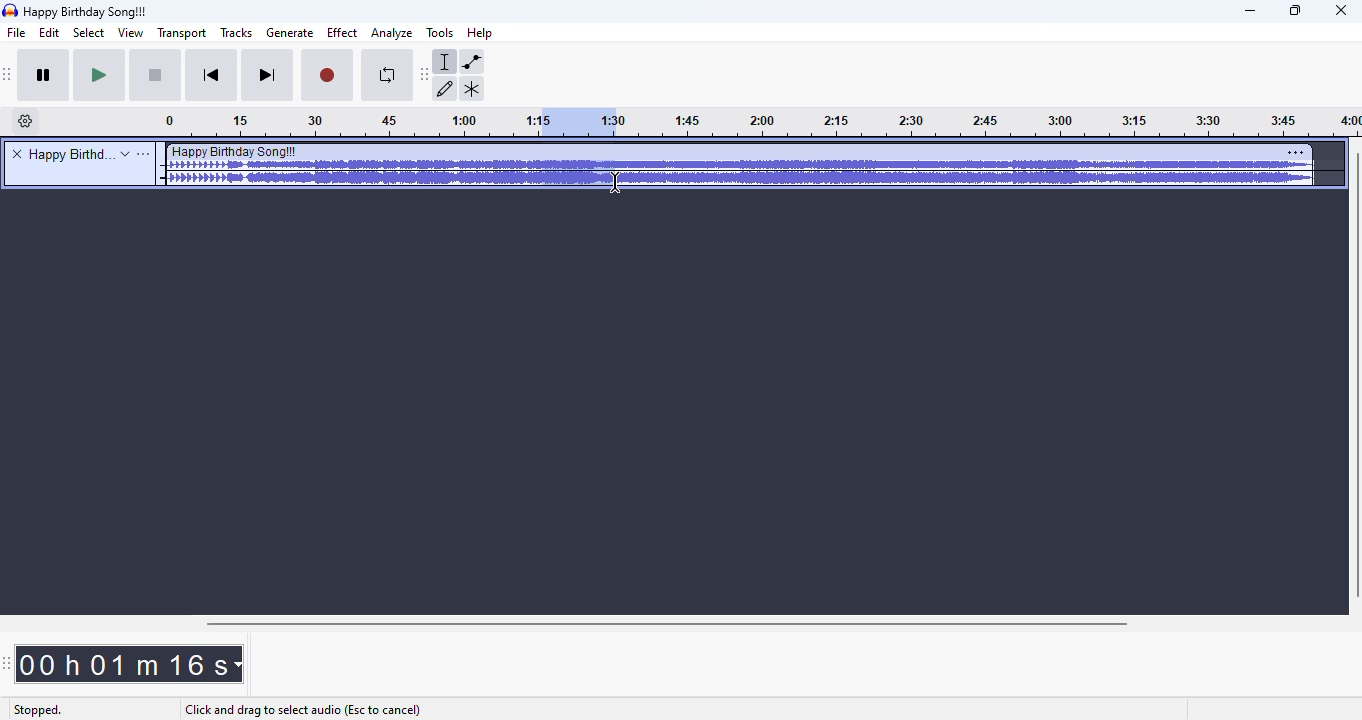  I want to click on effect, so click(342, 33).